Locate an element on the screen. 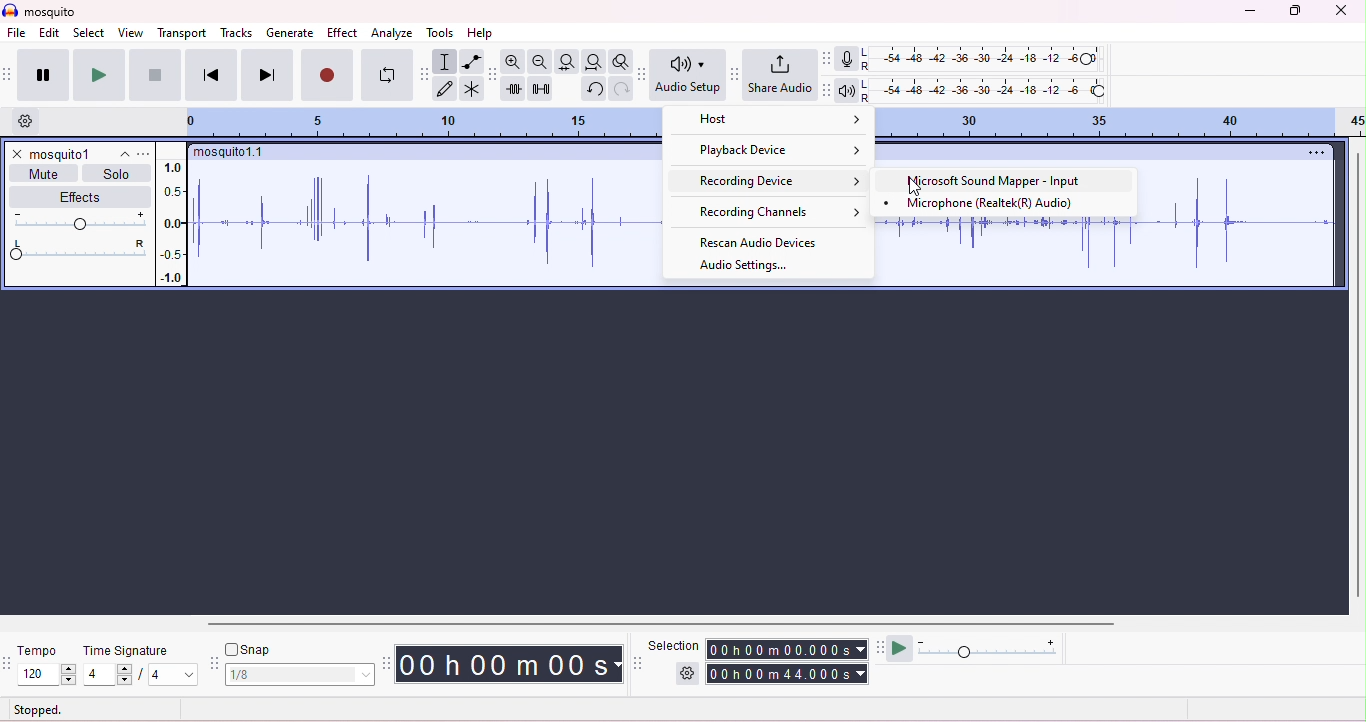  time is located at coordinates (508, 664).